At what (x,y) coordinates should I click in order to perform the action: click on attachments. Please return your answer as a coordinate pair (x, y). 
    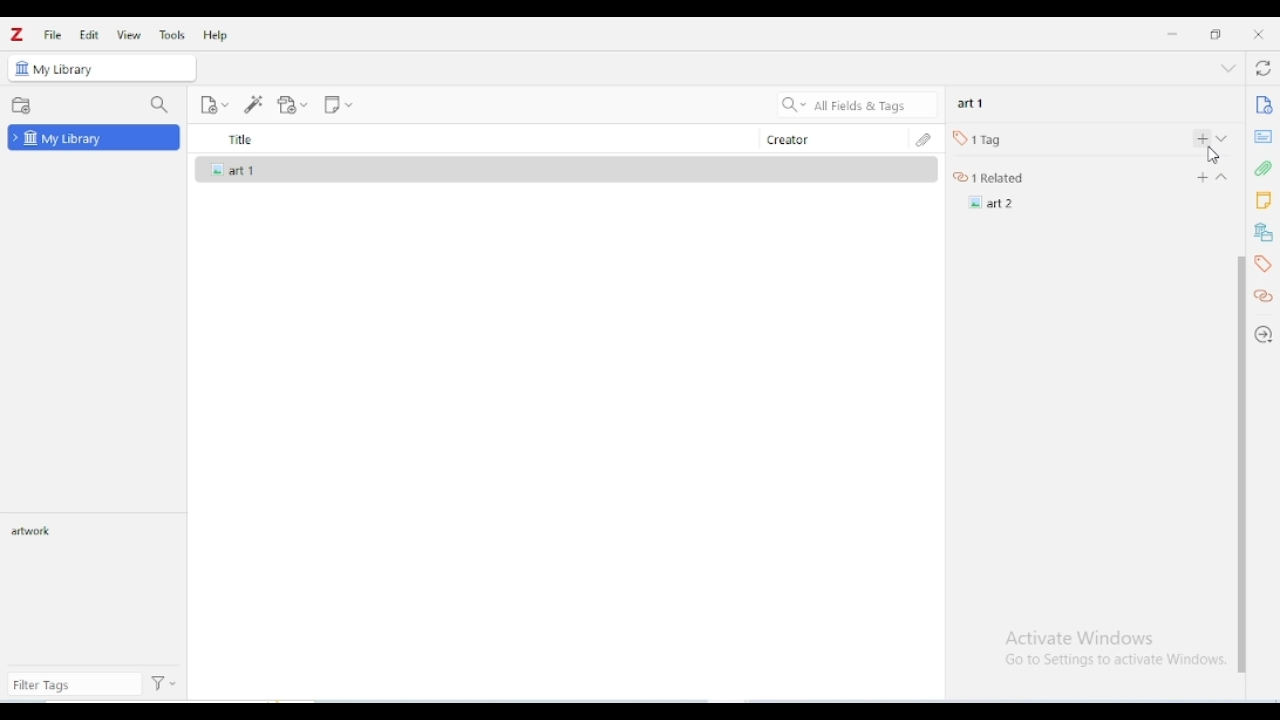
    Looking at the image, I should click on (925, 139).